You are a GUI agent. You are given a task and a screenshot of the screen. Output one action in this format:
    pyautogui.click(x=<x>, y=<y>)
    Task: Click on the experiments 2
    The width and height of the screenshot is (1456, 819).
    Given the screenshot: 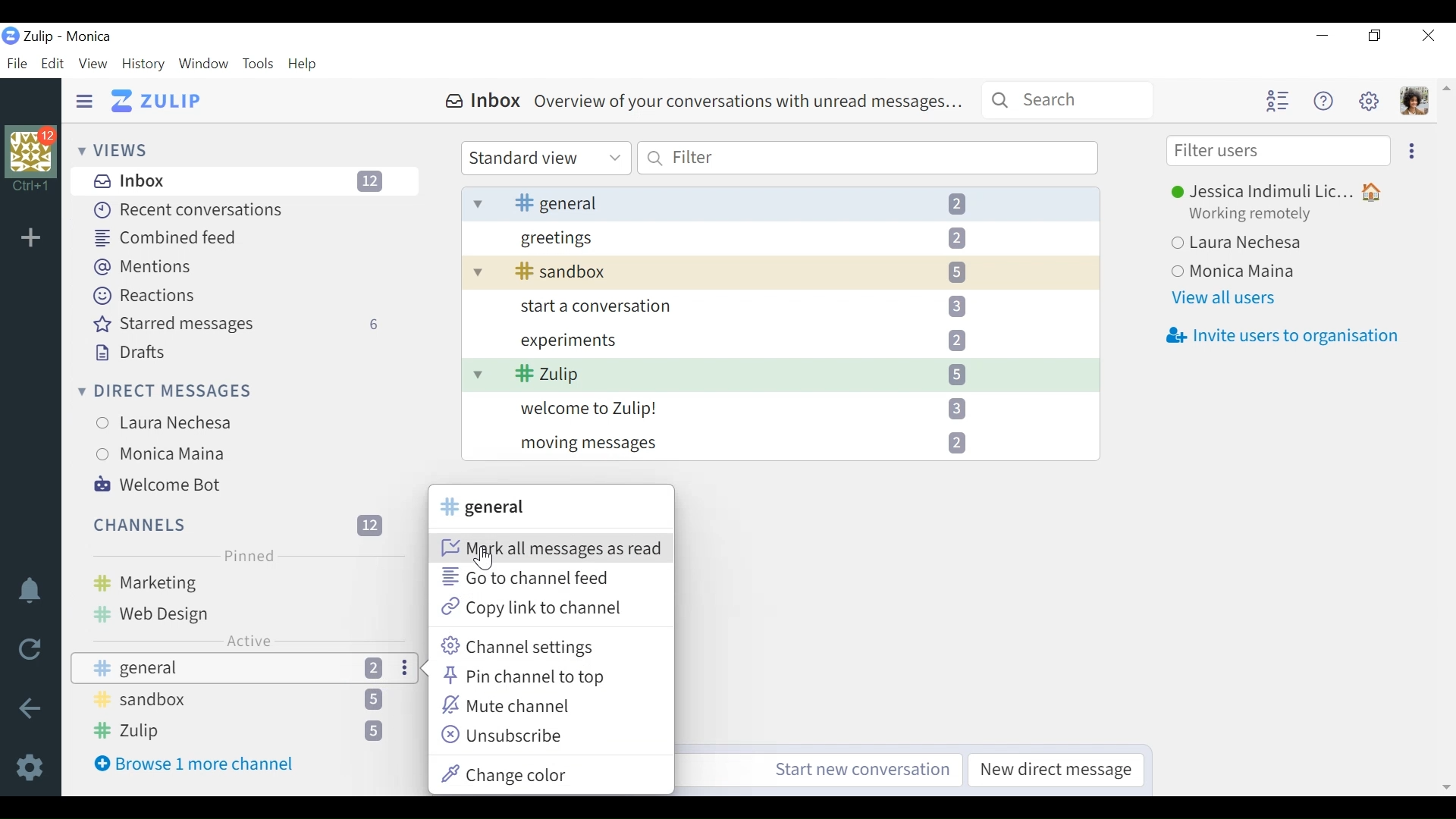 What is the action you would take?
    pyautogui.click(x=779, y=339)
    